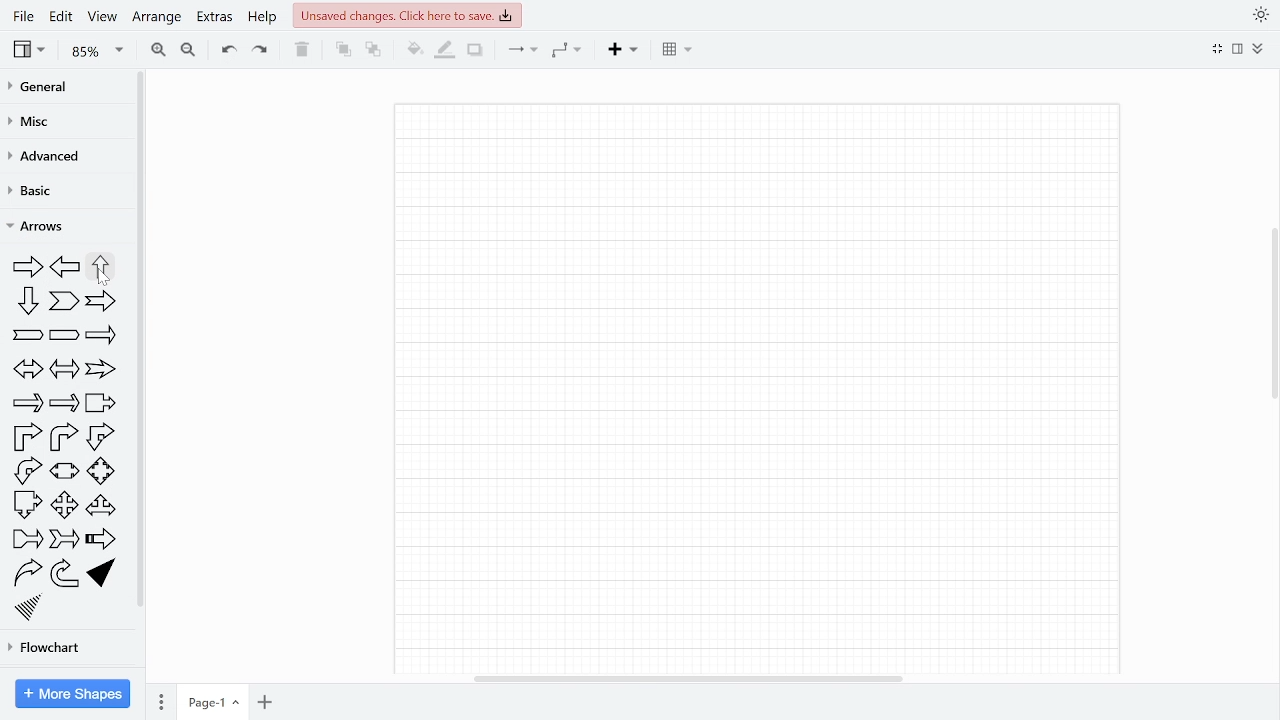  I want to click on Extras, so click(214, 16).